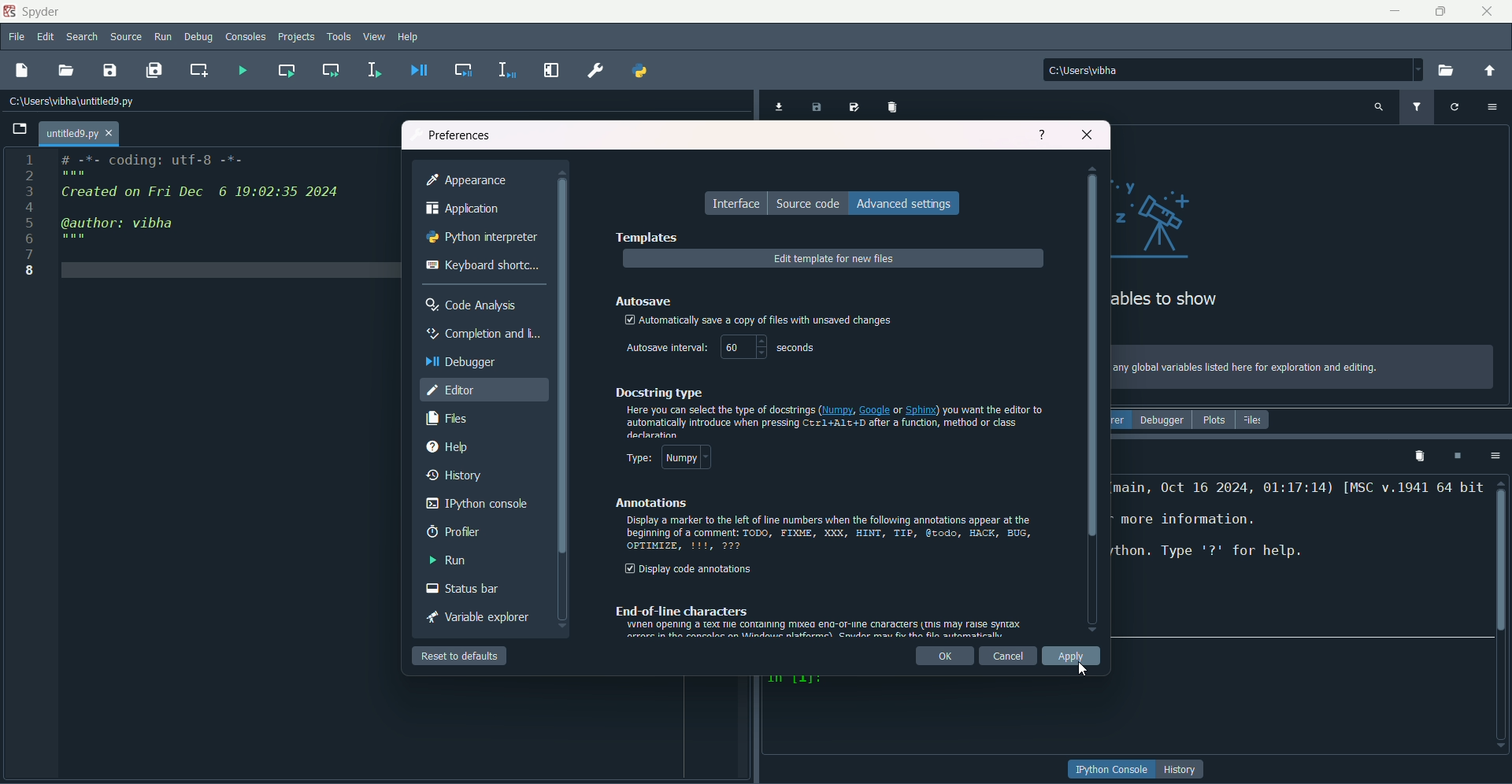 The height and width of the screenshot is (784, 1512). I want to click on , so click(297, 39).